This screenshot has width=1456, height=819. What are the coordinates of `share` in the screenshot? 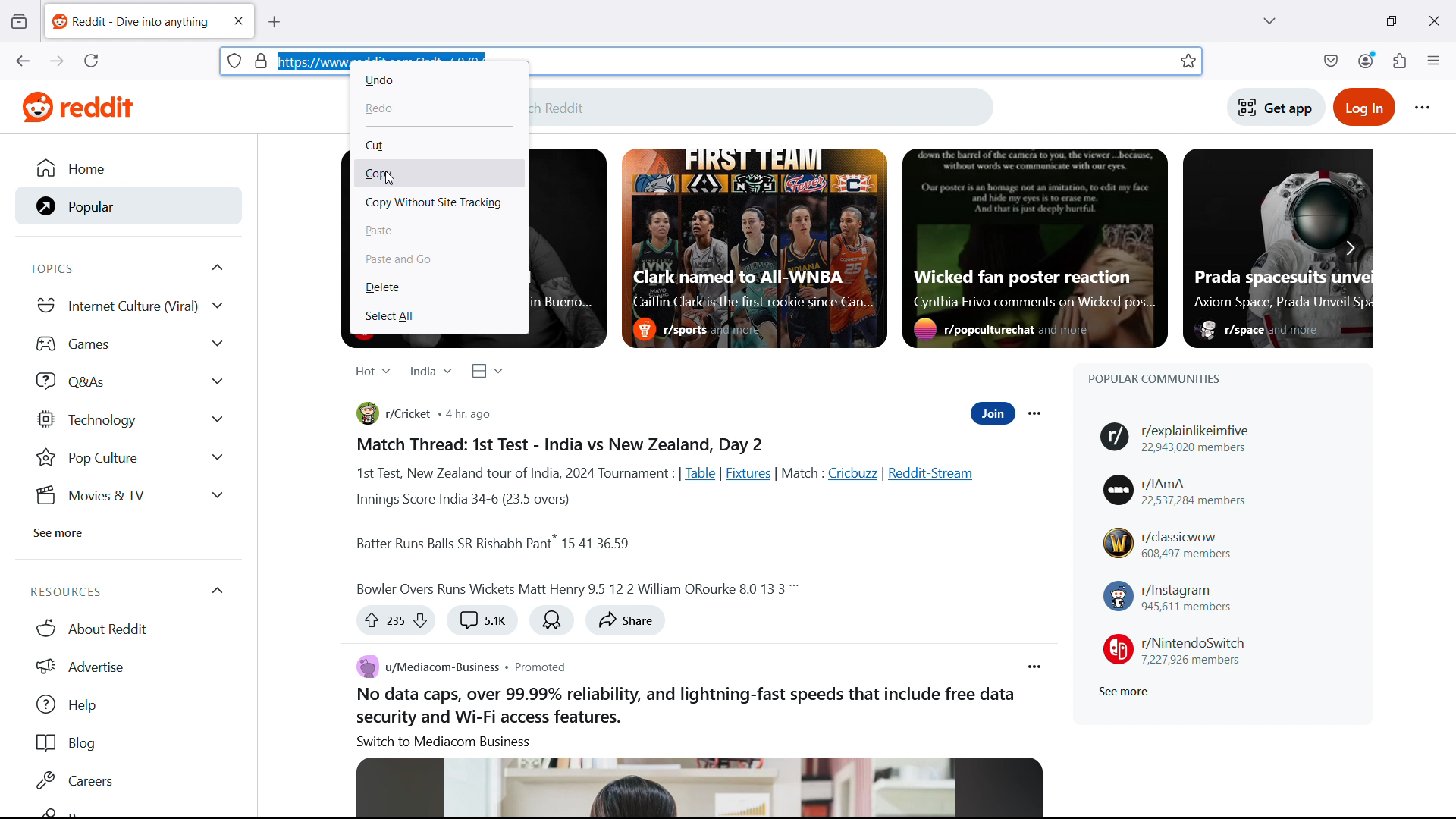 It's located at (626, 621).